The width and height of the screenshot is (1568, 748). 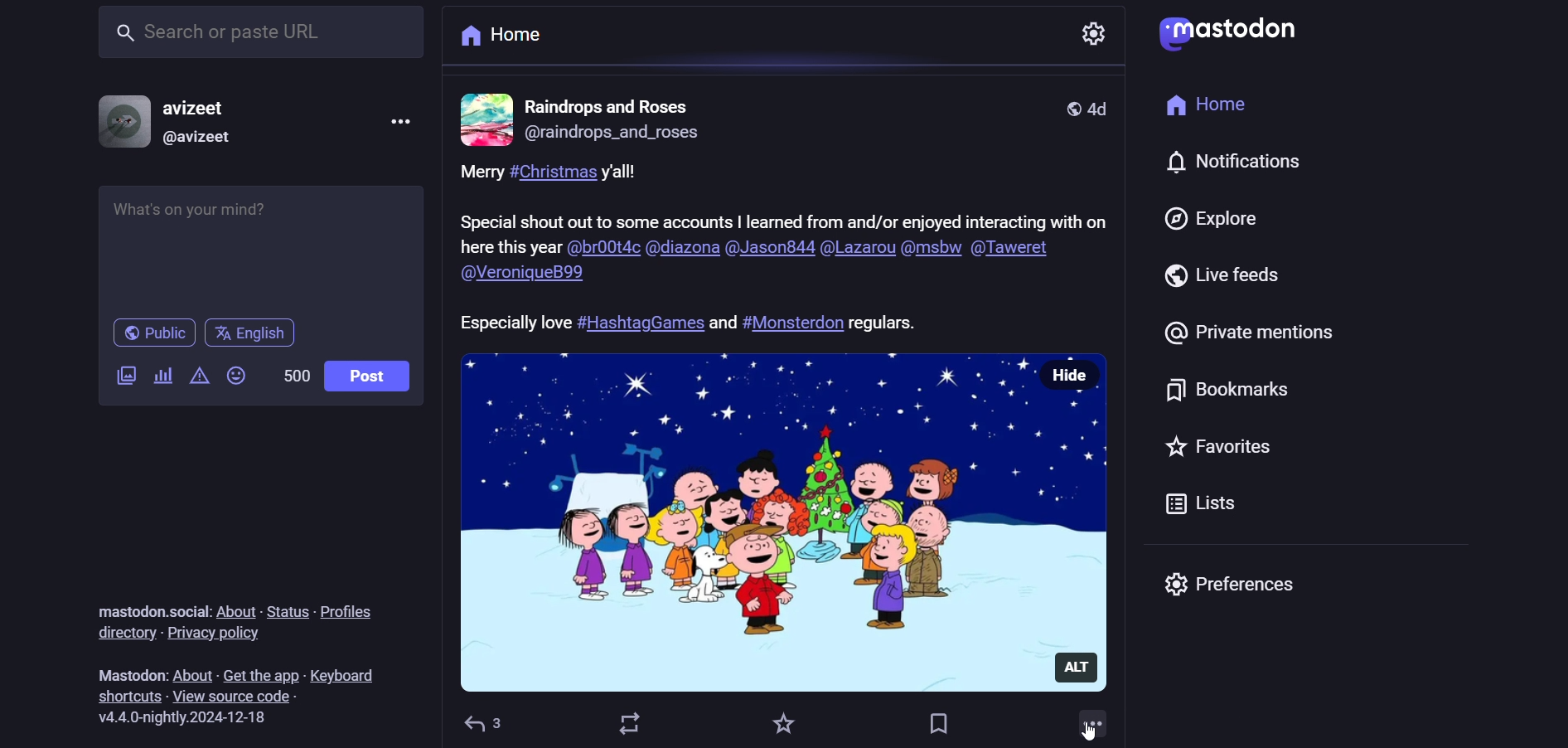 What do you see at coordinates (1073, 373) in the screenshot?
I see `HIde` at bounding box center [1073, 373].